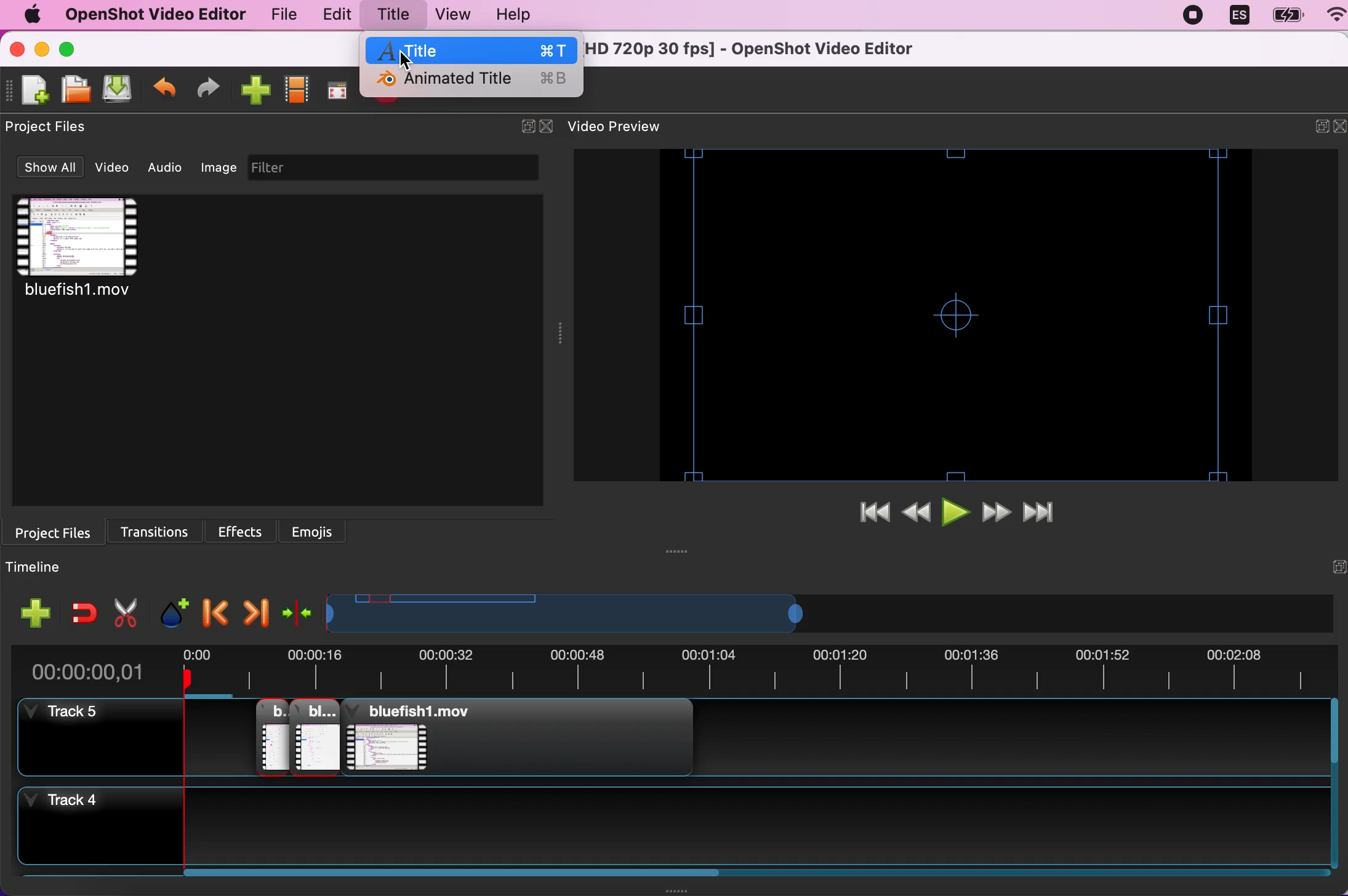 Image resolution: width=1348 pixels, height=896 pixels. I want to click on language, so click(1238, 16).